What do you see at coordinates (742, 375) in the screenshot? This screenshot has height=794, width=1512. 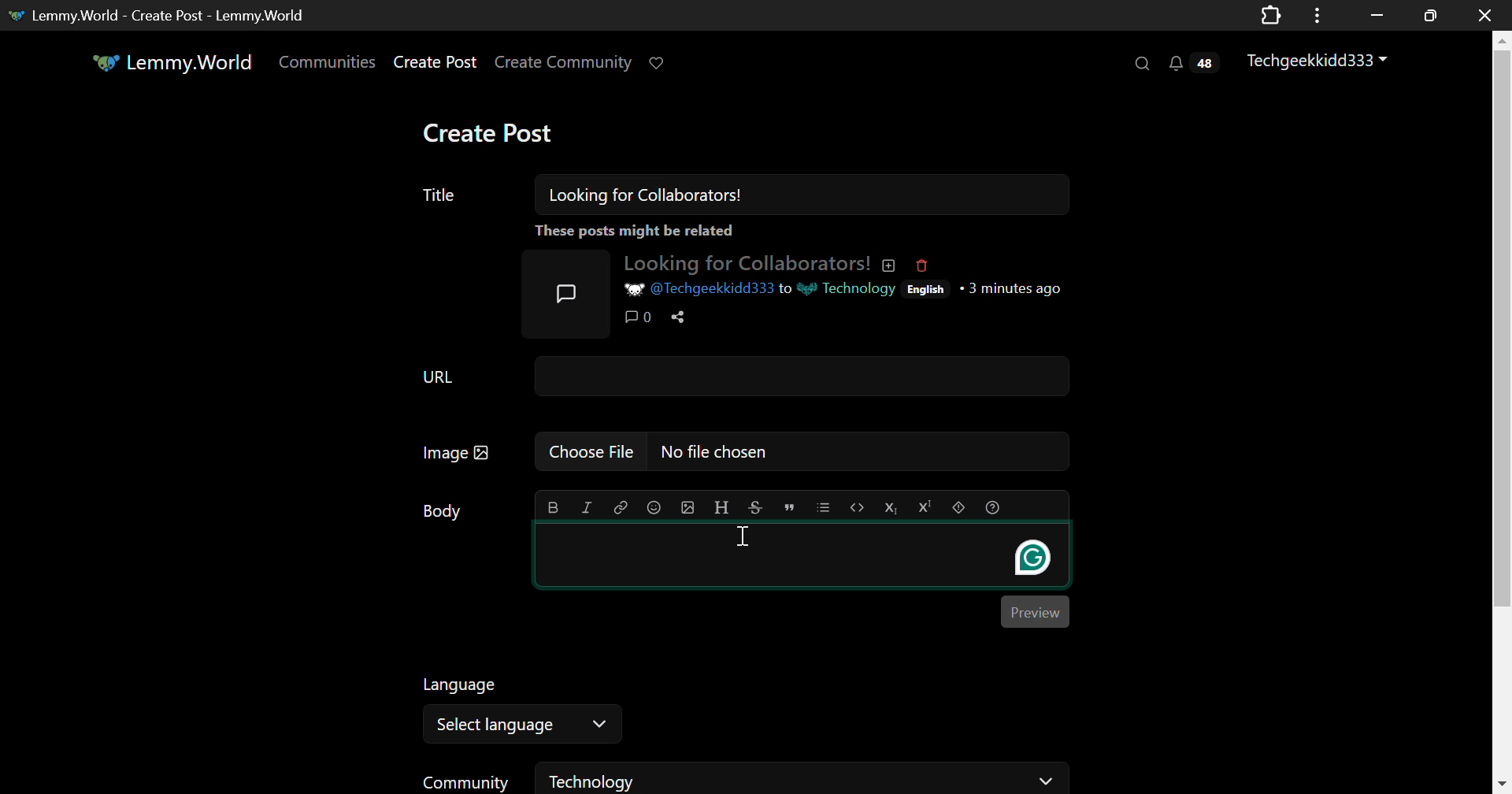 I see `URL` at bounding box center [742, 375].